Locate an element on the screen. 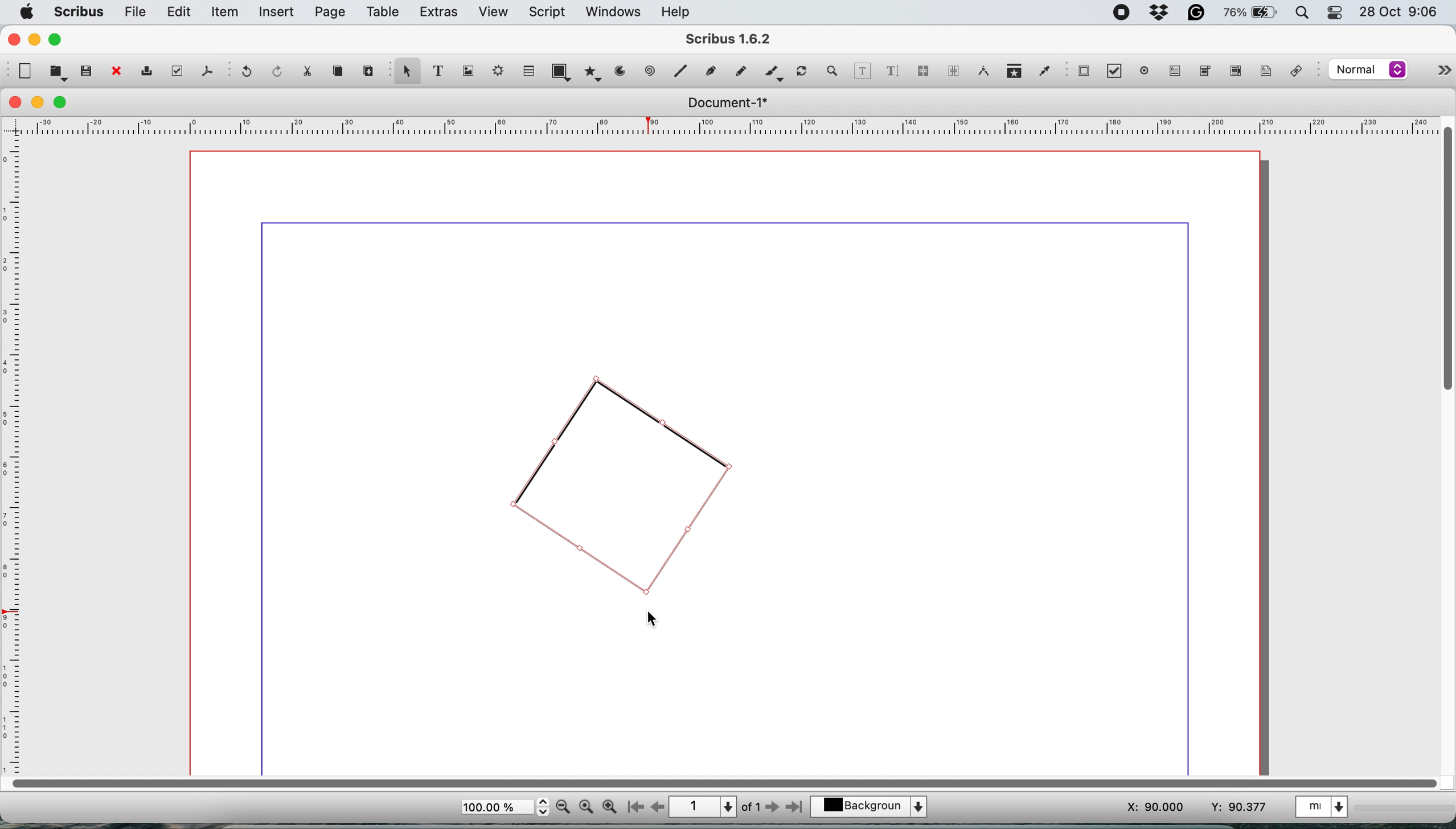 The height and width of the screenshot is (829, 1456). more options is located at coordinates (1439, 68).